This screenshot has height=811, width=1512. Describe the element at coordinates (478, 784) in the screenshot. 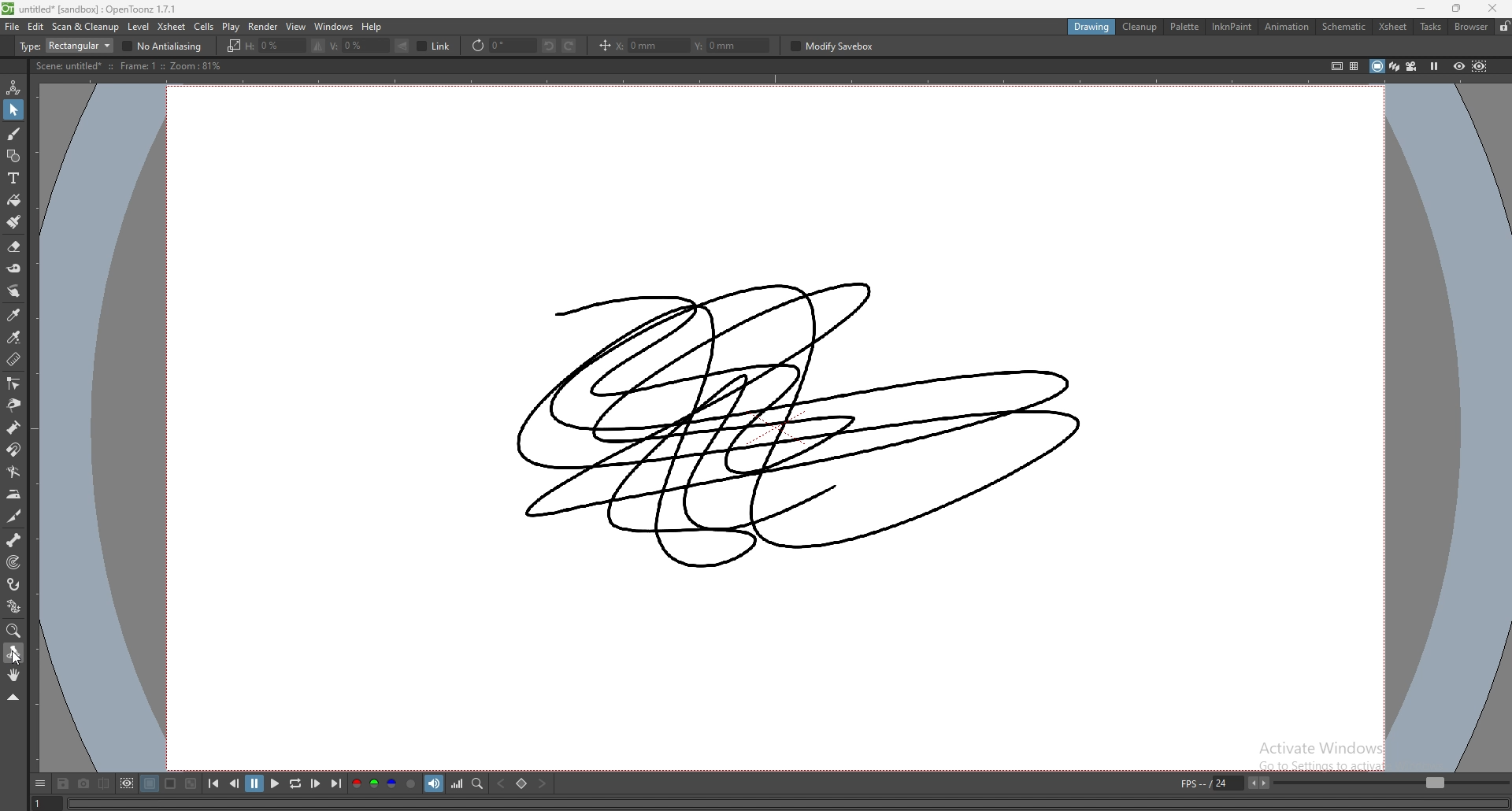

I see `locator` at that location.